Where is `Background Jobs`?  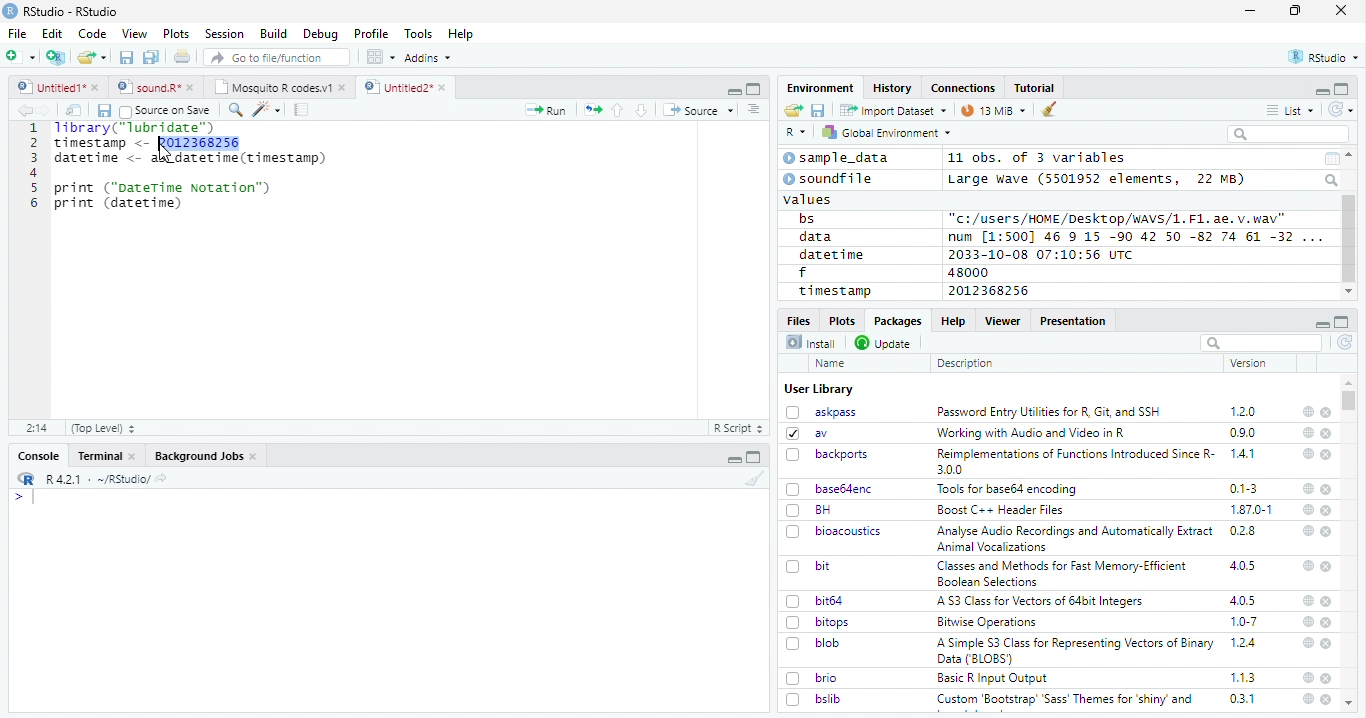 Background Jobs is located at coordinates (206, 456).